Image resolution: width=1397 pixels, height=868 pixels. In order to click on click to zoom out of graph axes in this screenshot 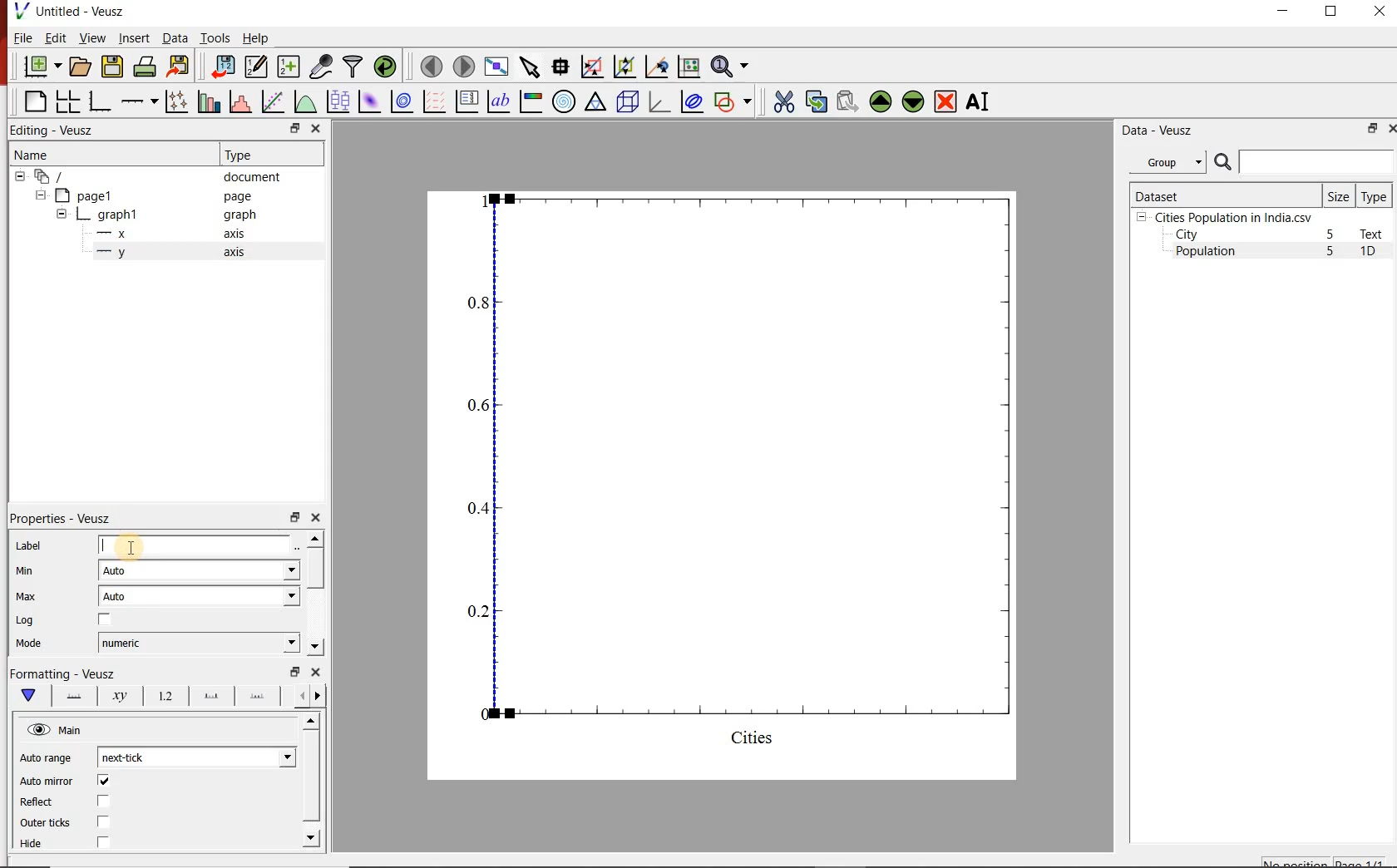, I will do `click(622, 68)`.